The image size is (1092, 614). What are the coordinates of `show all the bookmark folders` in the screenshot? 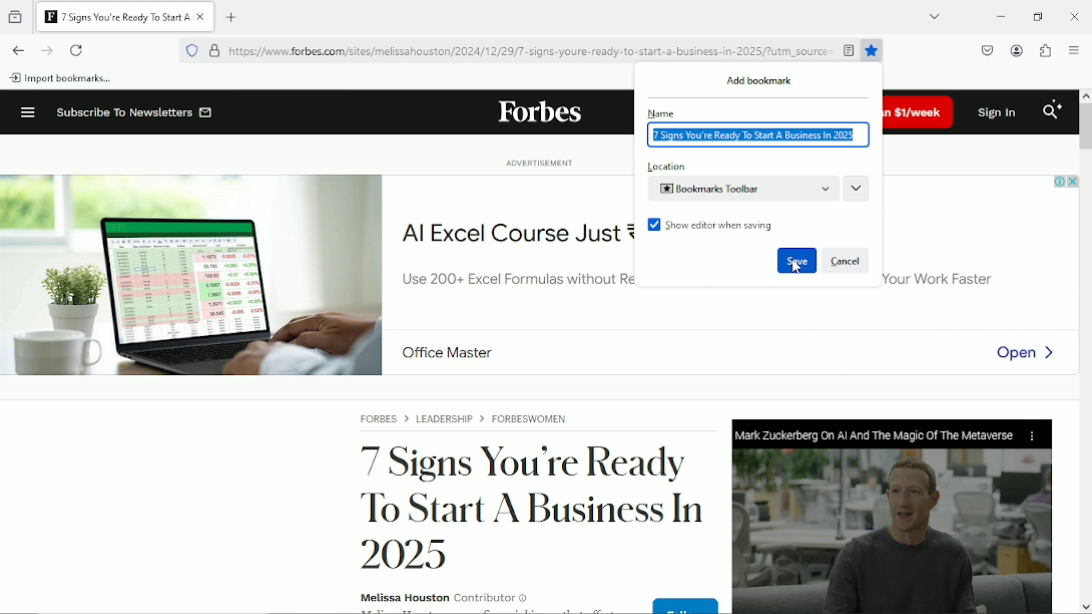 It's located at (858, 188).